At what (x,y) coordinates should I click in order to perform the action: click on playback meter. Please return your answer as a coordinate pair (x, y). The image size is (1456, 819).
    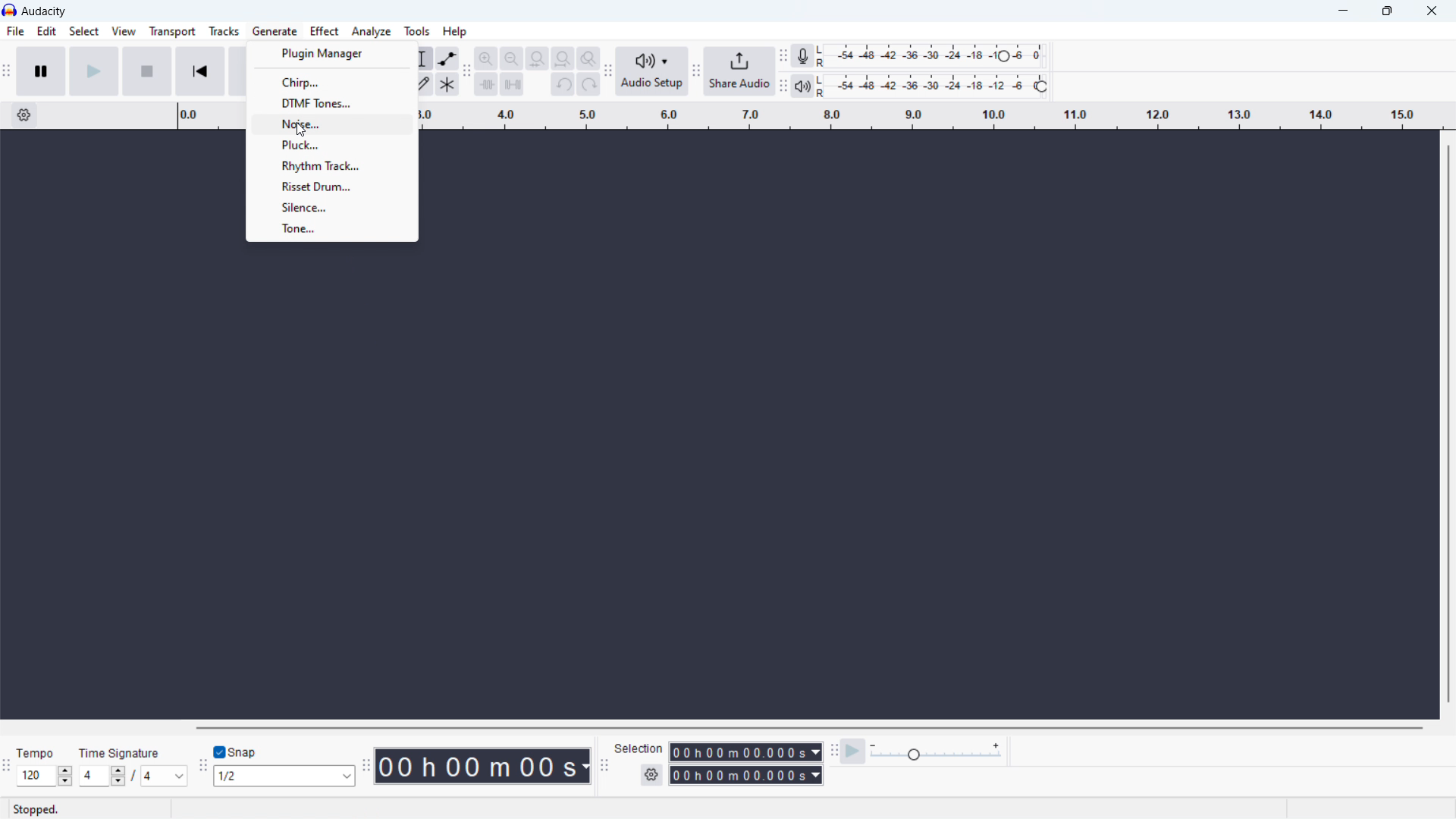
    Looking at the image, I should click on (804, 86).